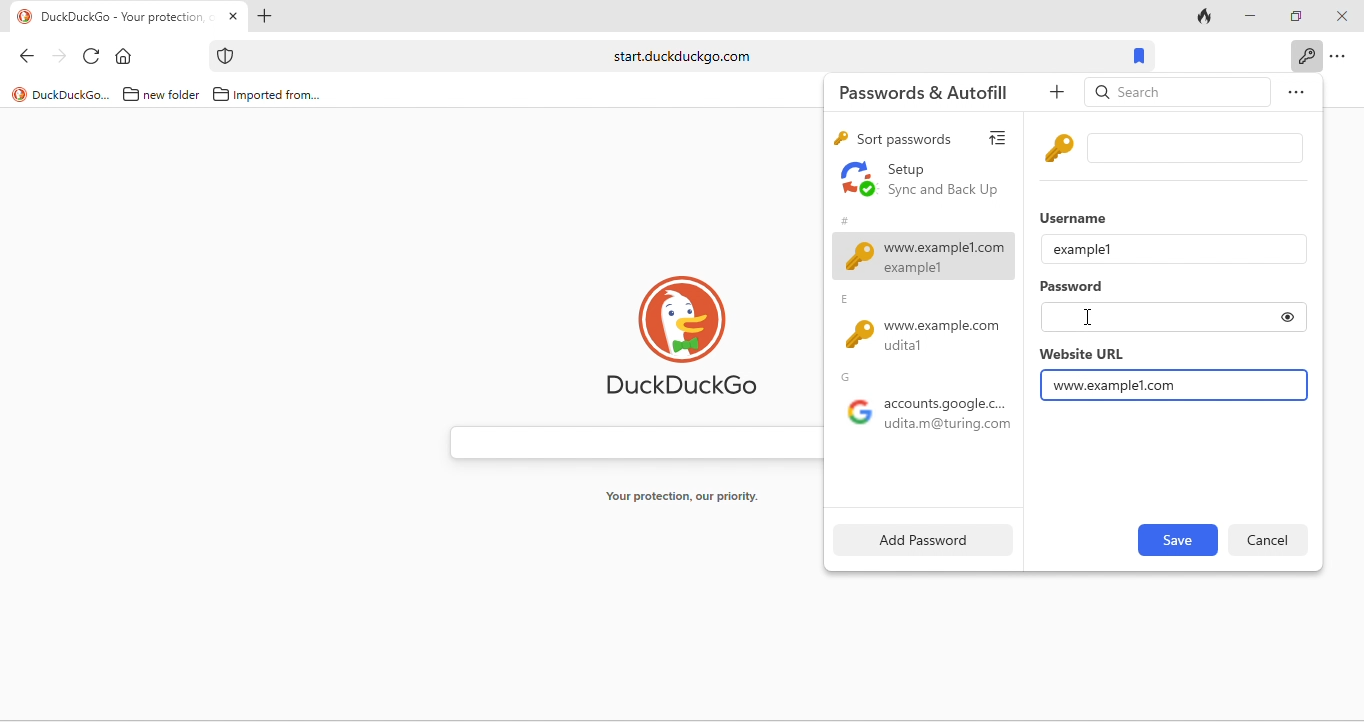 The image size is (1364, 722). I want to click on folder icon, so click(131, 94).